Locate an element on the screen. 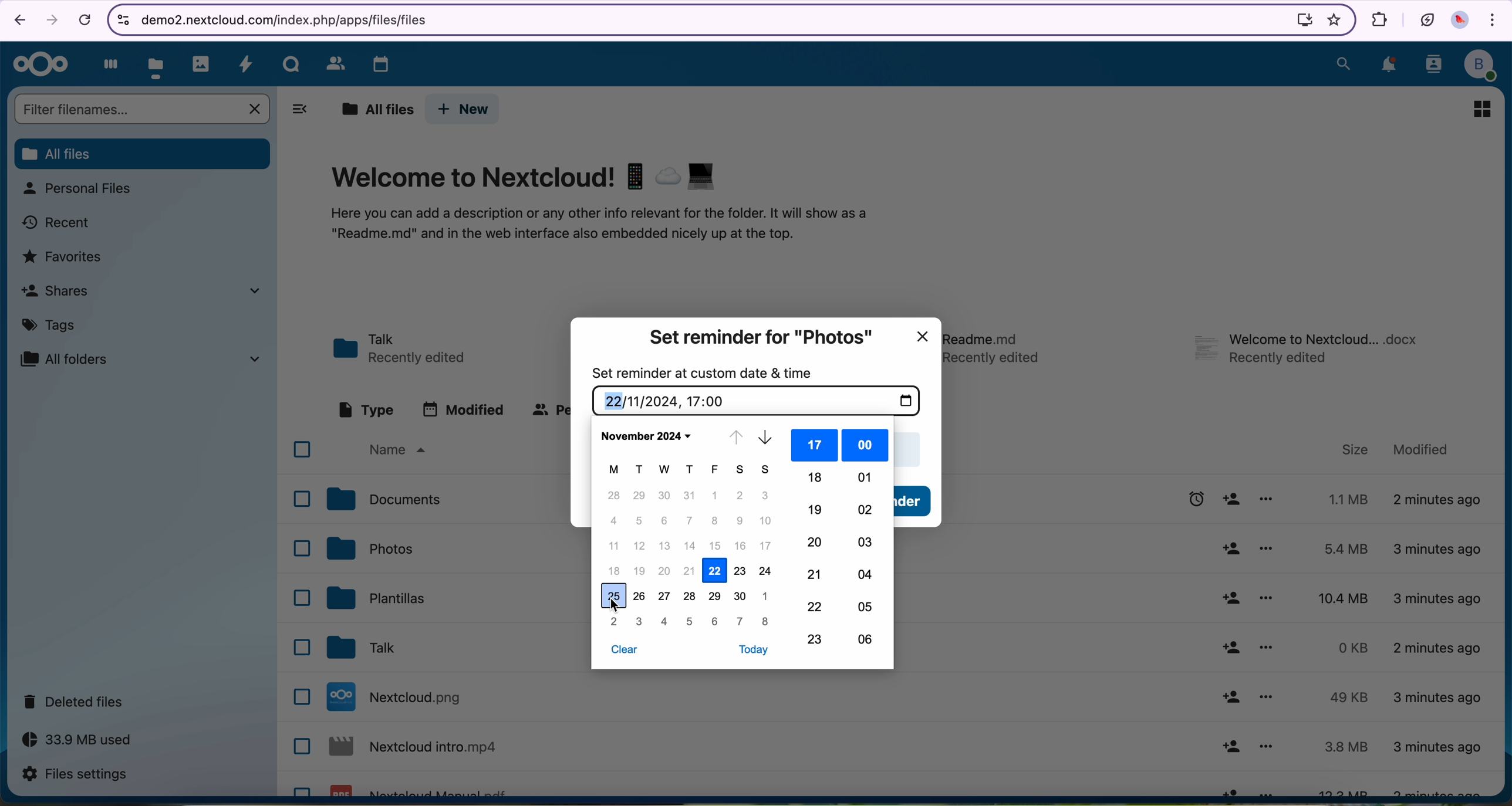 The height and width of the screenshot is (806, 1512). 18 is located at coordinates (815, 477).